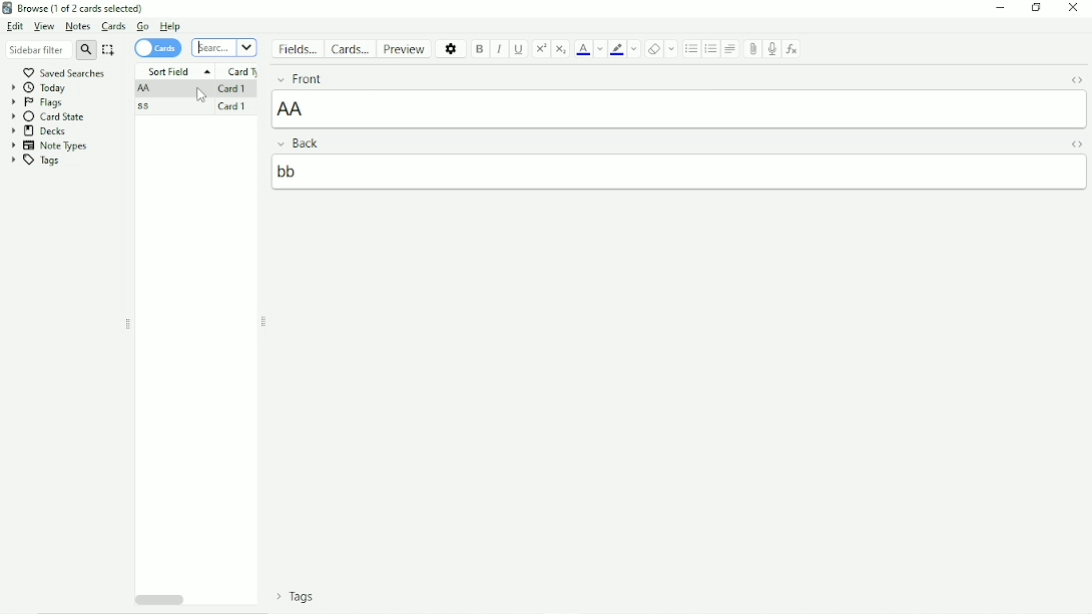 The width and height of the screenshot is (1092, 614). I want to click on Saved searches, so click(60, 71).